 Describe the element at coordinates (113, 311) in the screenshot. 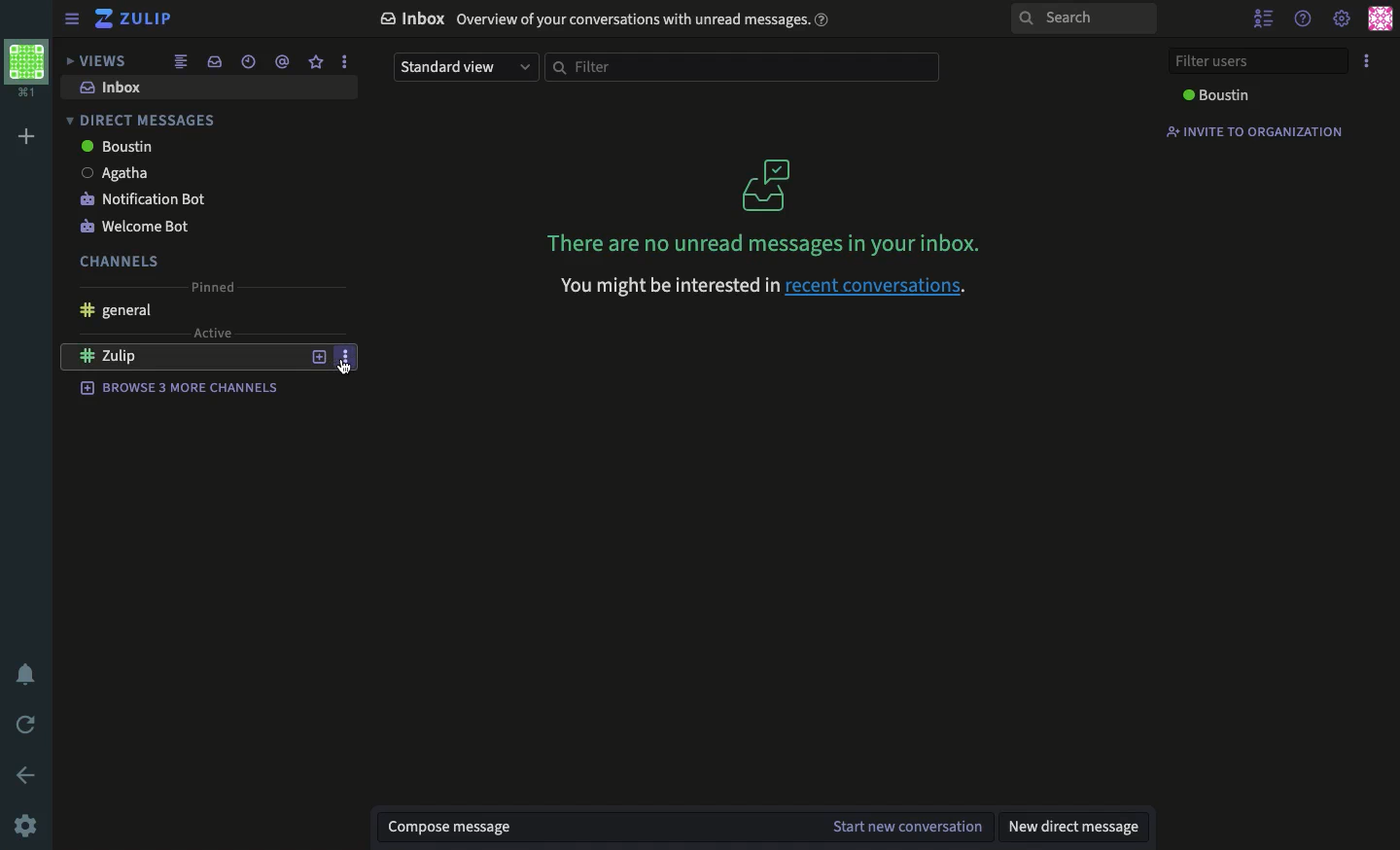

I see `general` at that location.